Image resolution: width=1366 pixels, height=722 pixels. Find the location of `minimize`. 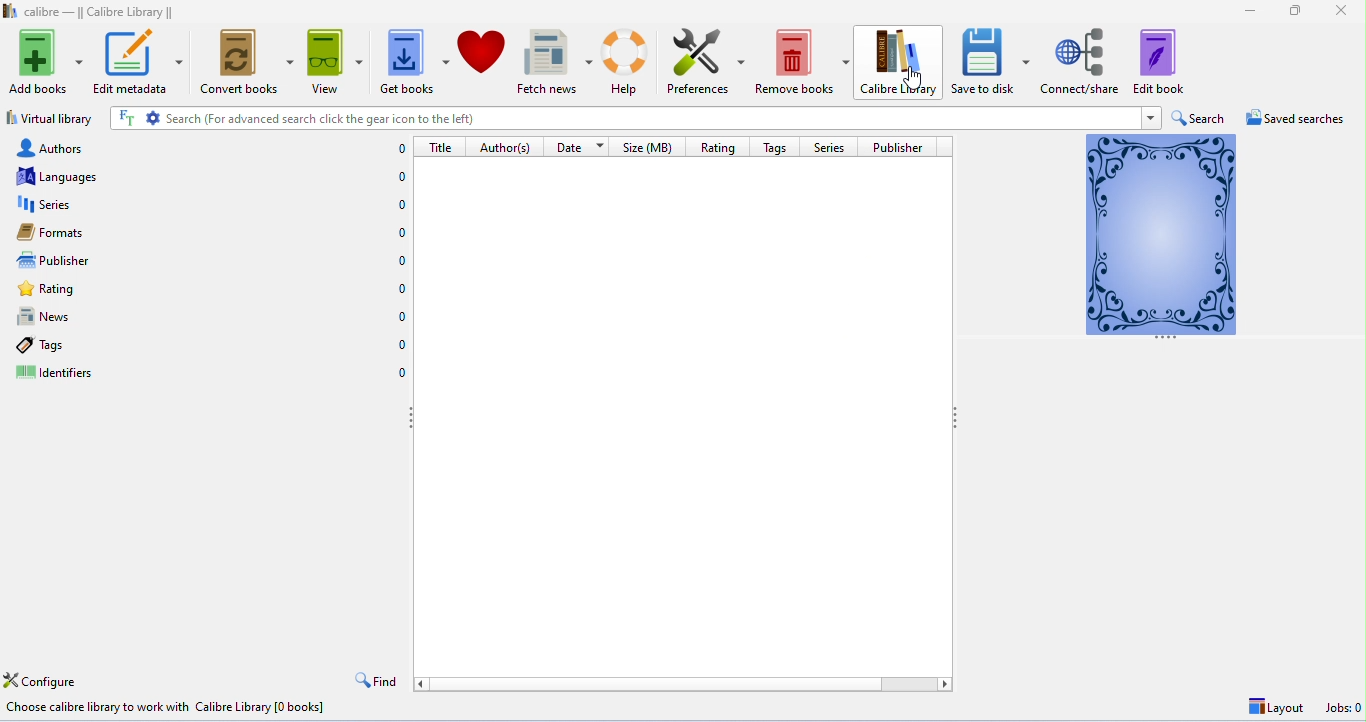

minimize is located at coordinates (1250, 12).